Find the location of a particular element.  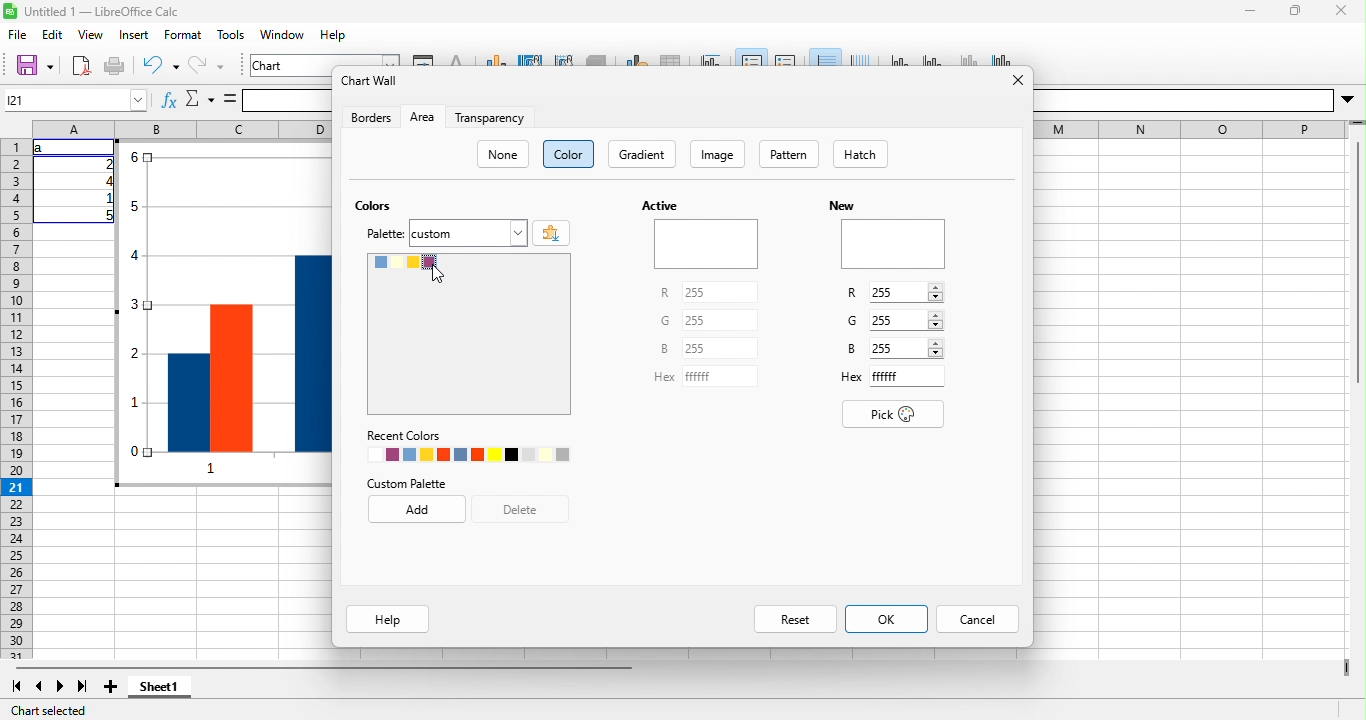

close is located at coordinates (1341, 11).